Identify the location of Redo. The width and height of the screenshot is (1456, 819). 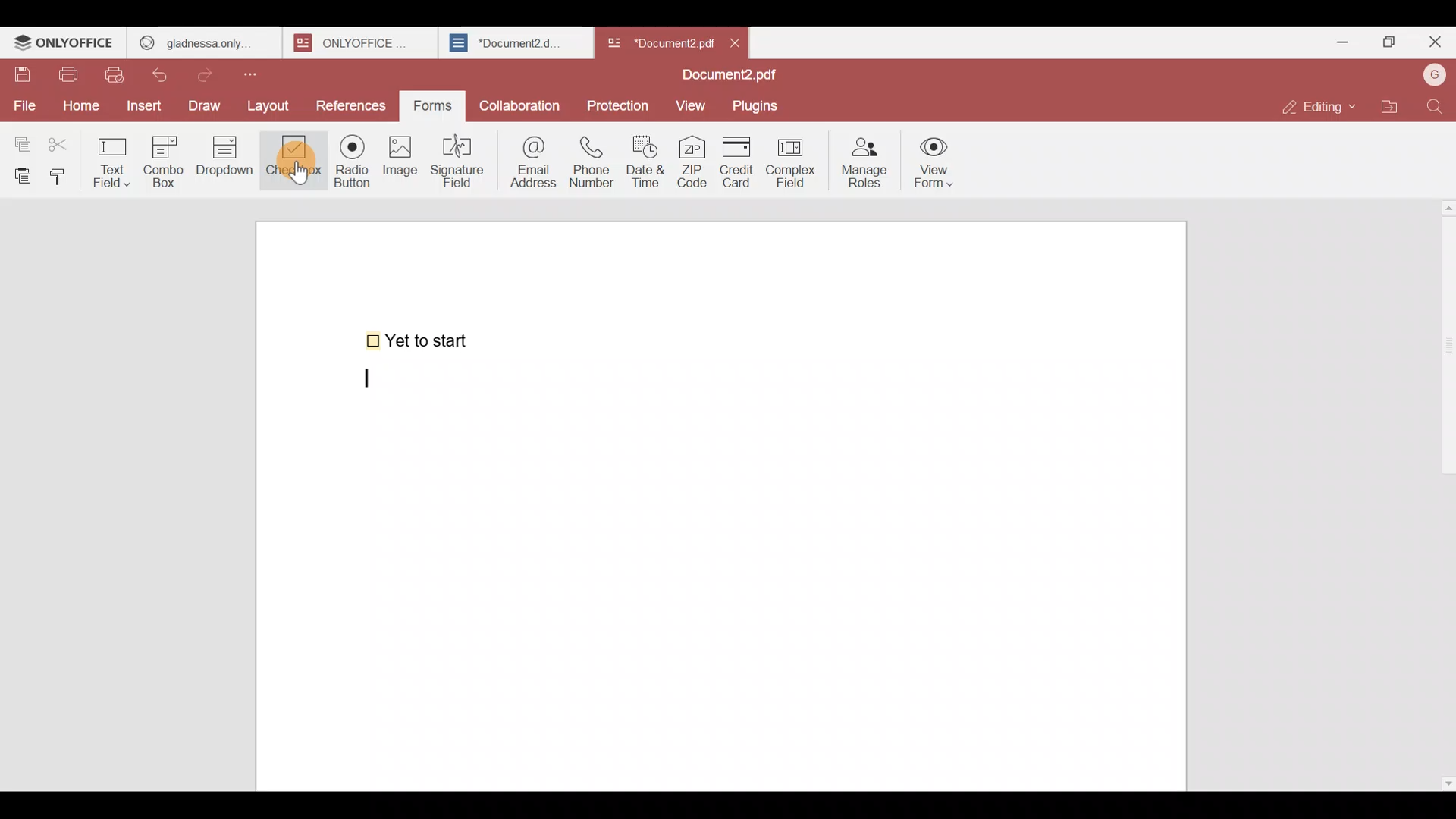
(212, 71).